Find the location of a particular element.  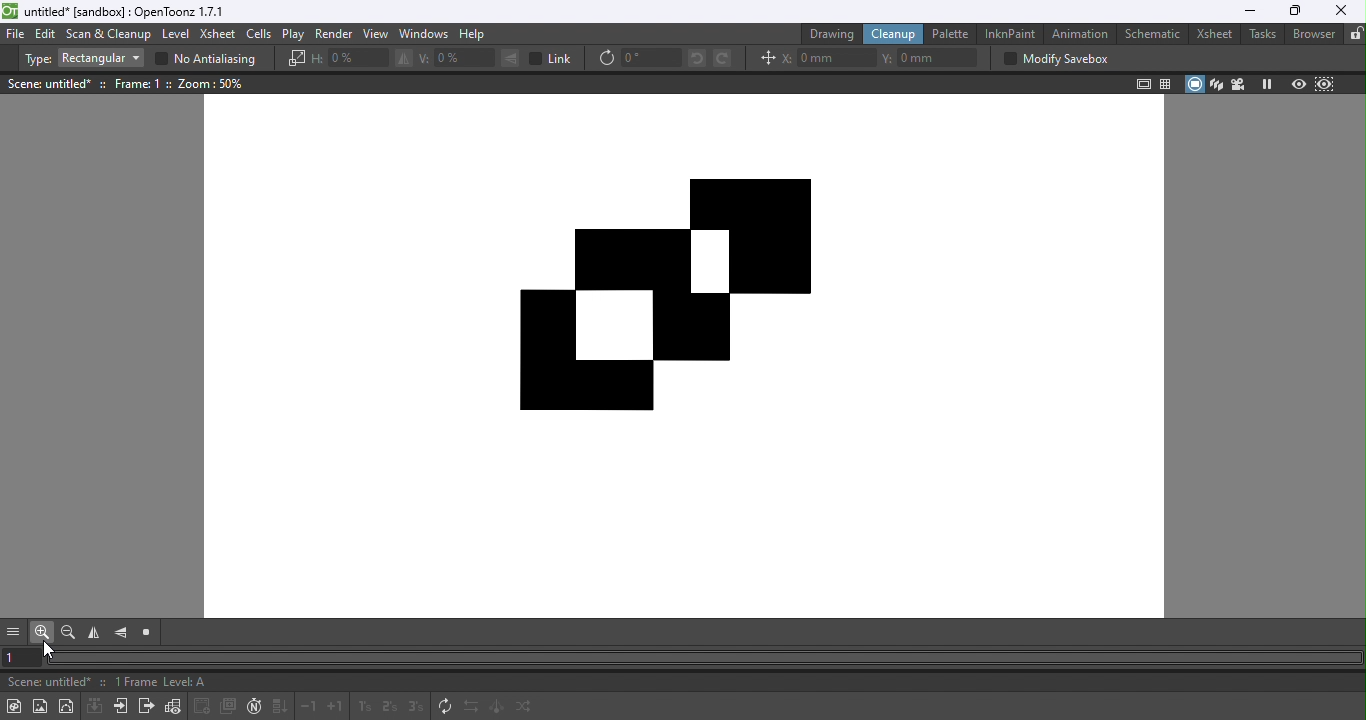

View is located at coordinates (377, 34).